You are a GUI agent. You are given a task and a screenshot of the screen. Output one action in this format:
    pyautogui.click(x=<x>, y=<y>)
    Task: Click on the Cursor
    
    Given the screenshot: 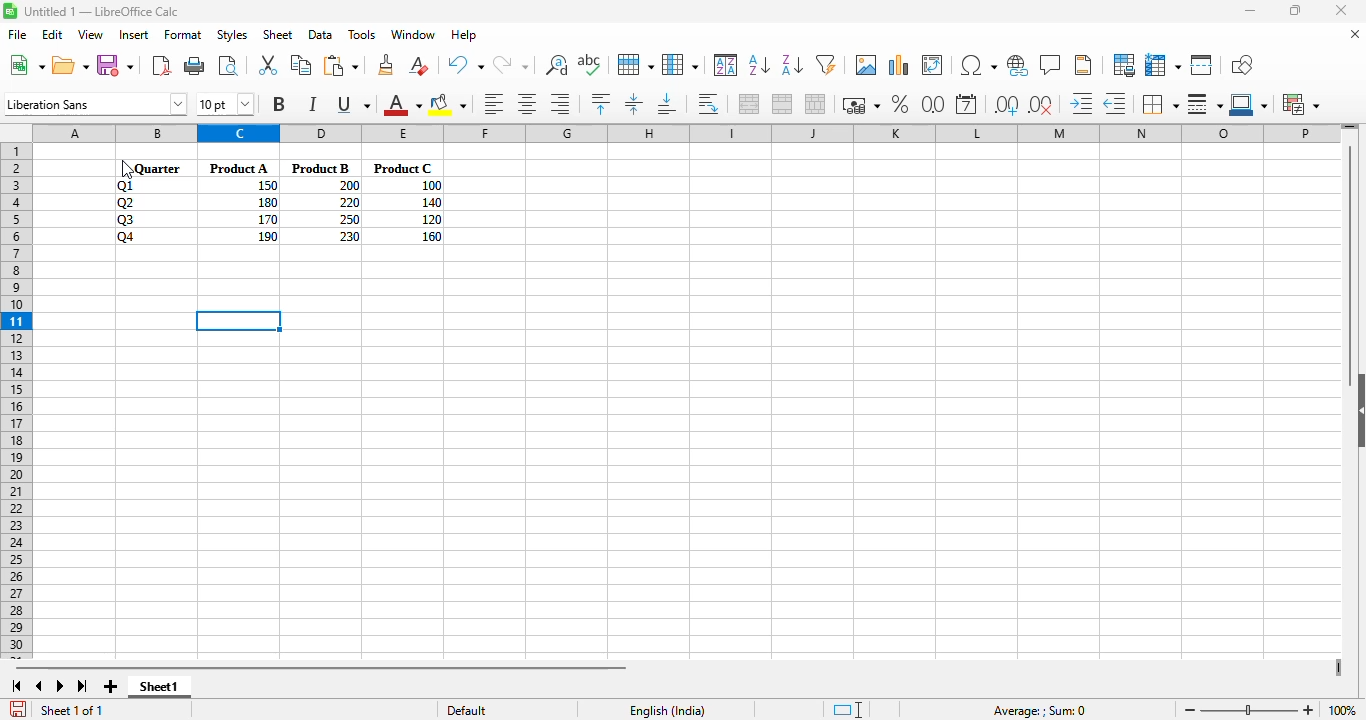 What is the action you would take?
    pyautogui.click(x=128, y=169)
    